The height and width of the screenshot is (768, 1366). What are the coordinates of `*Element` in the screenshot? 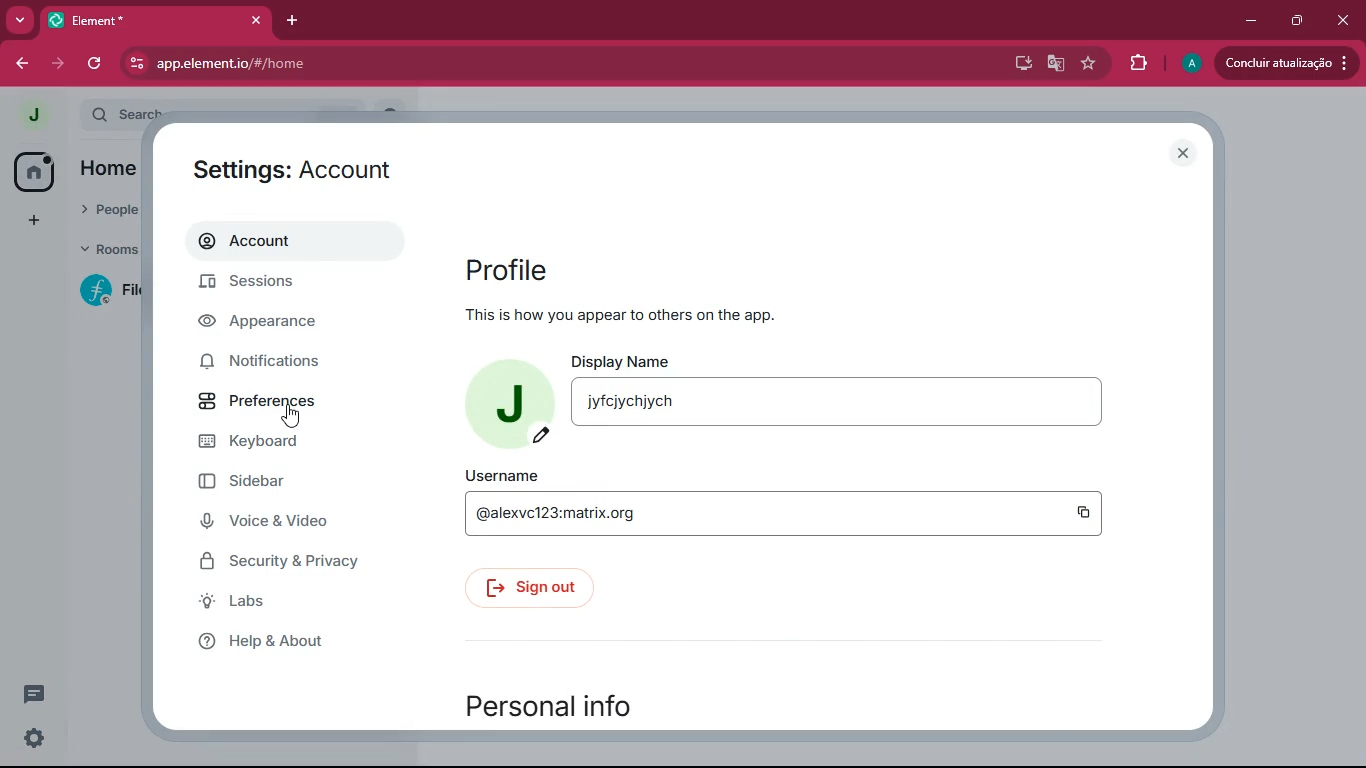 It's located at (155, 24).